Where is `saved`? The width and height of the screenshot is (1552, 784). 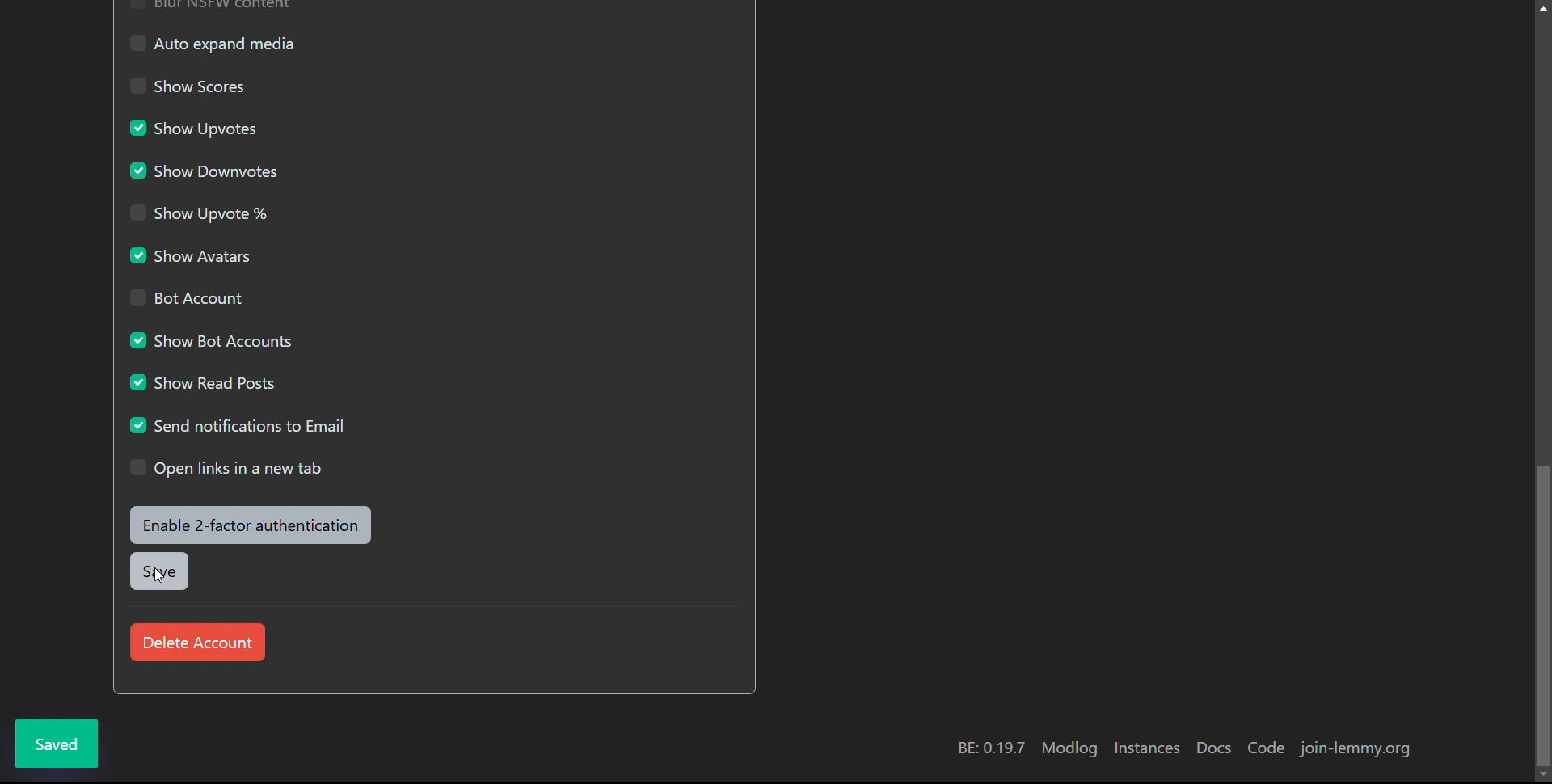
saved is located at coordinates (57, 743).